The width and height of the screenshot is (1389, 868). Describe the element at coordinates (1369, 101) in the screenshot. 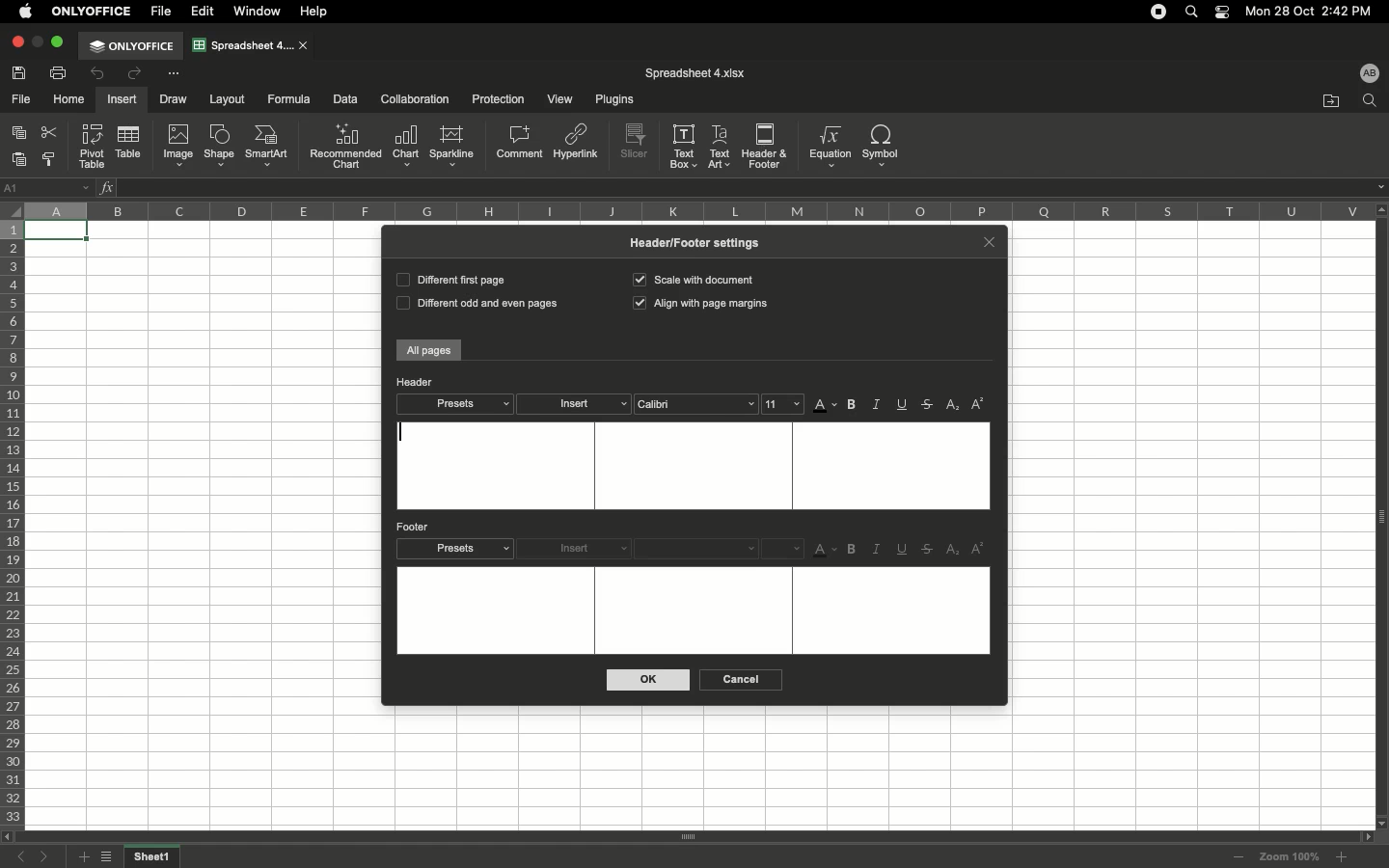

I see `Find` at that location.